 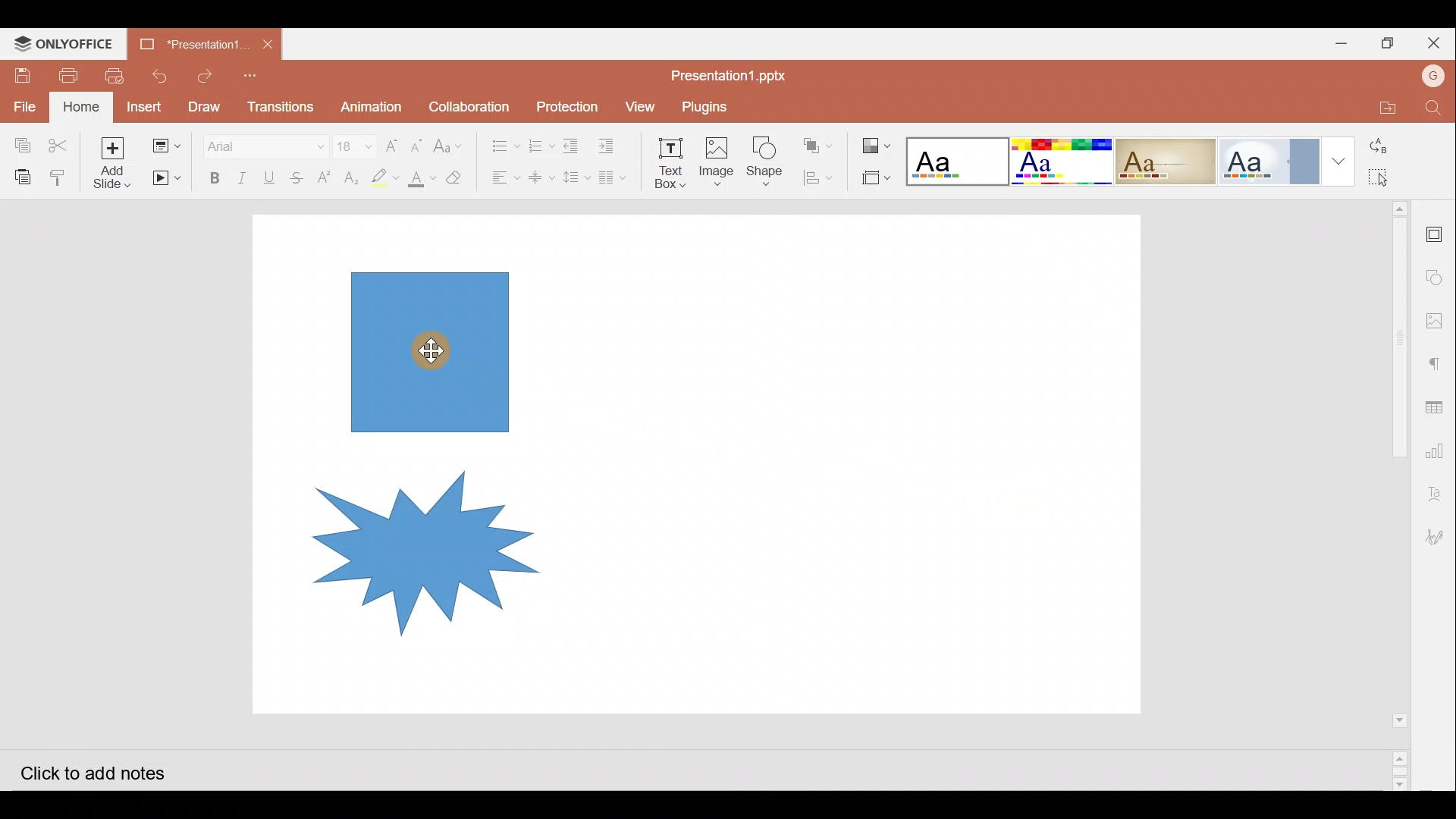 What do you see at coordinates (1338, 42) in the screenshot?
I see `Minimize` at bounding box center [1338, 42].